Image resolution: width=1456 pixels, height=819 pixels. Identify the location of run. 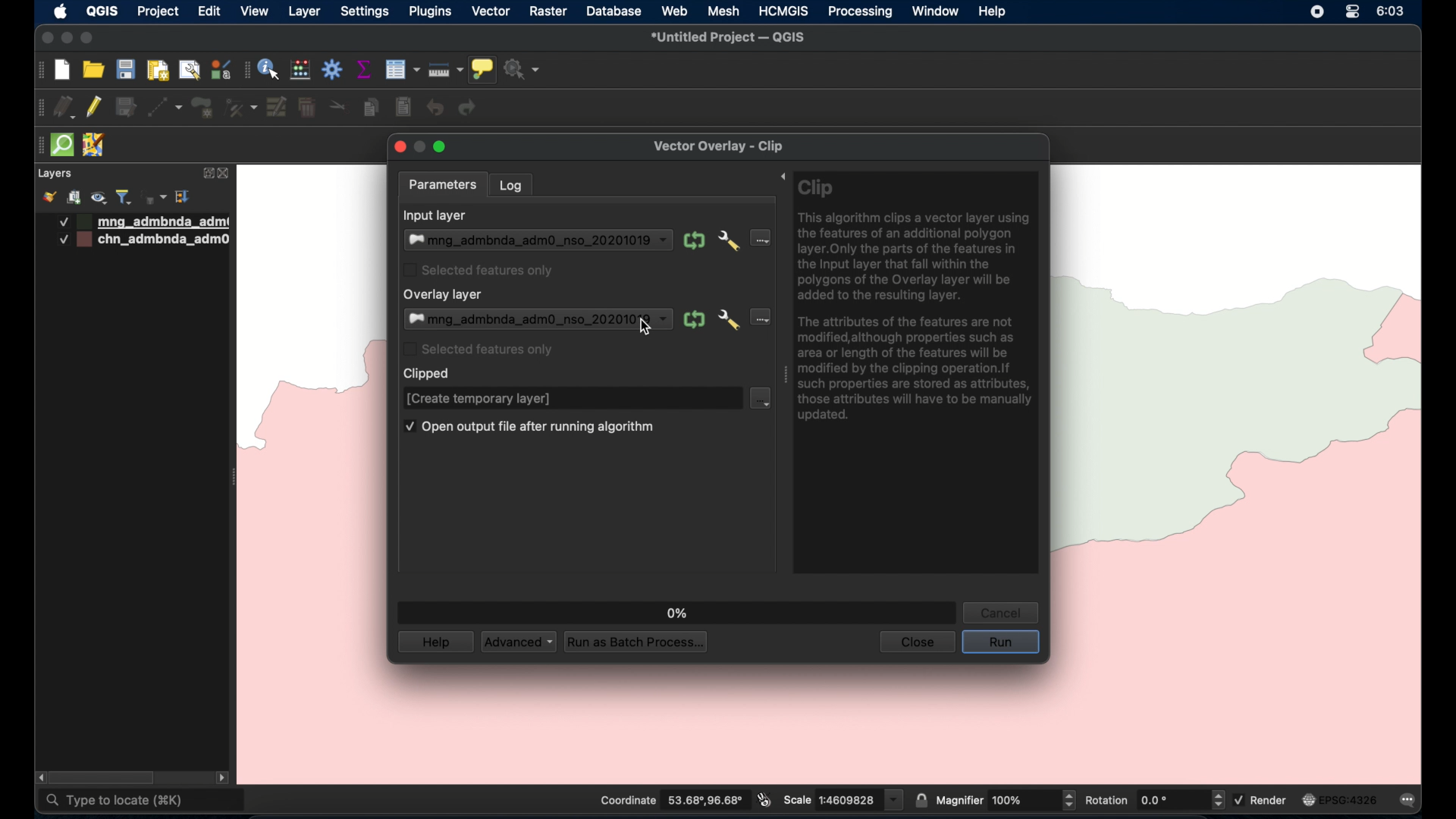
(1001, 643).